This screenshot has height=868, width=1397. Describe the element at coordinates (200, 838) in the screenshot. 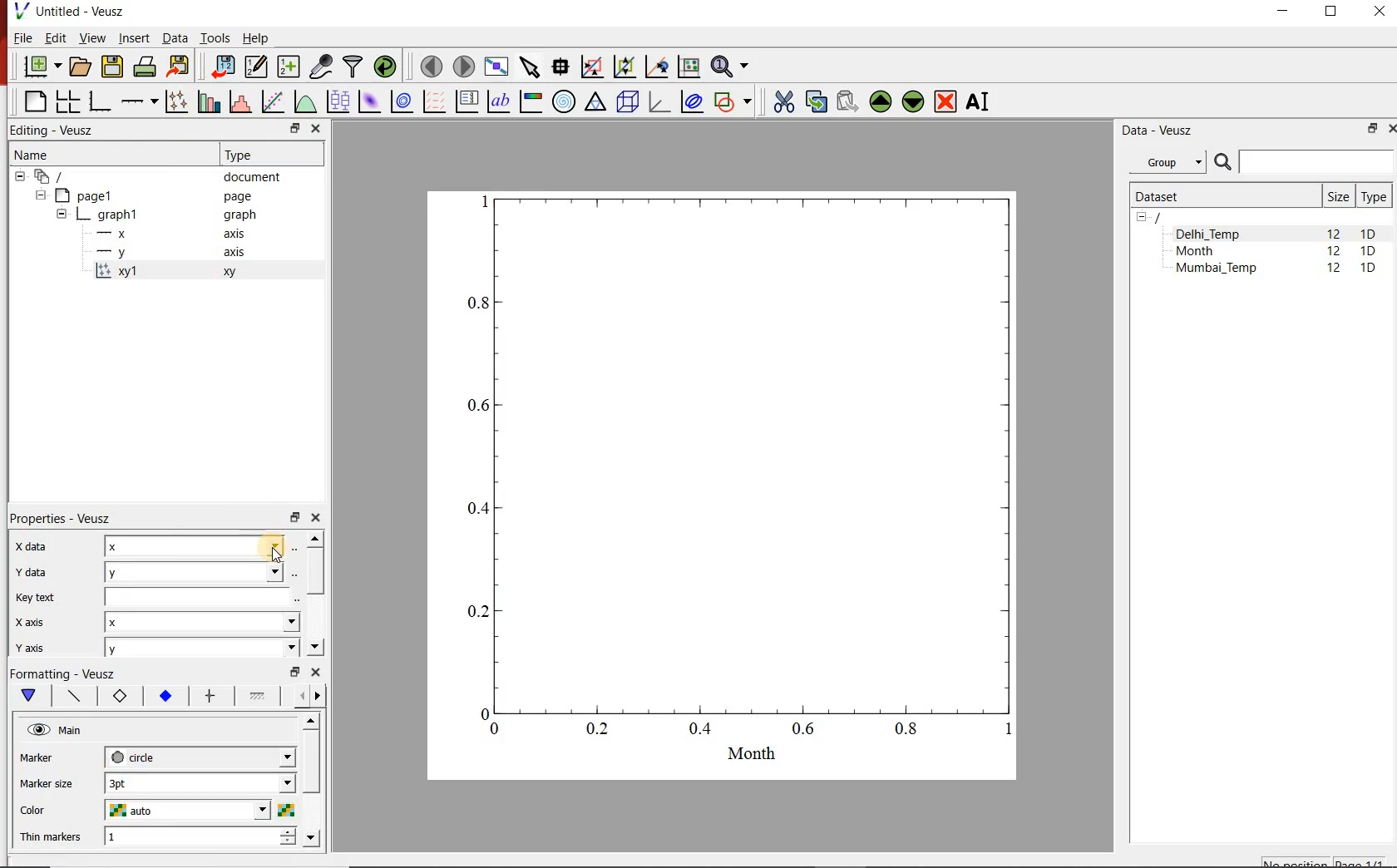

I see `1` at that location.